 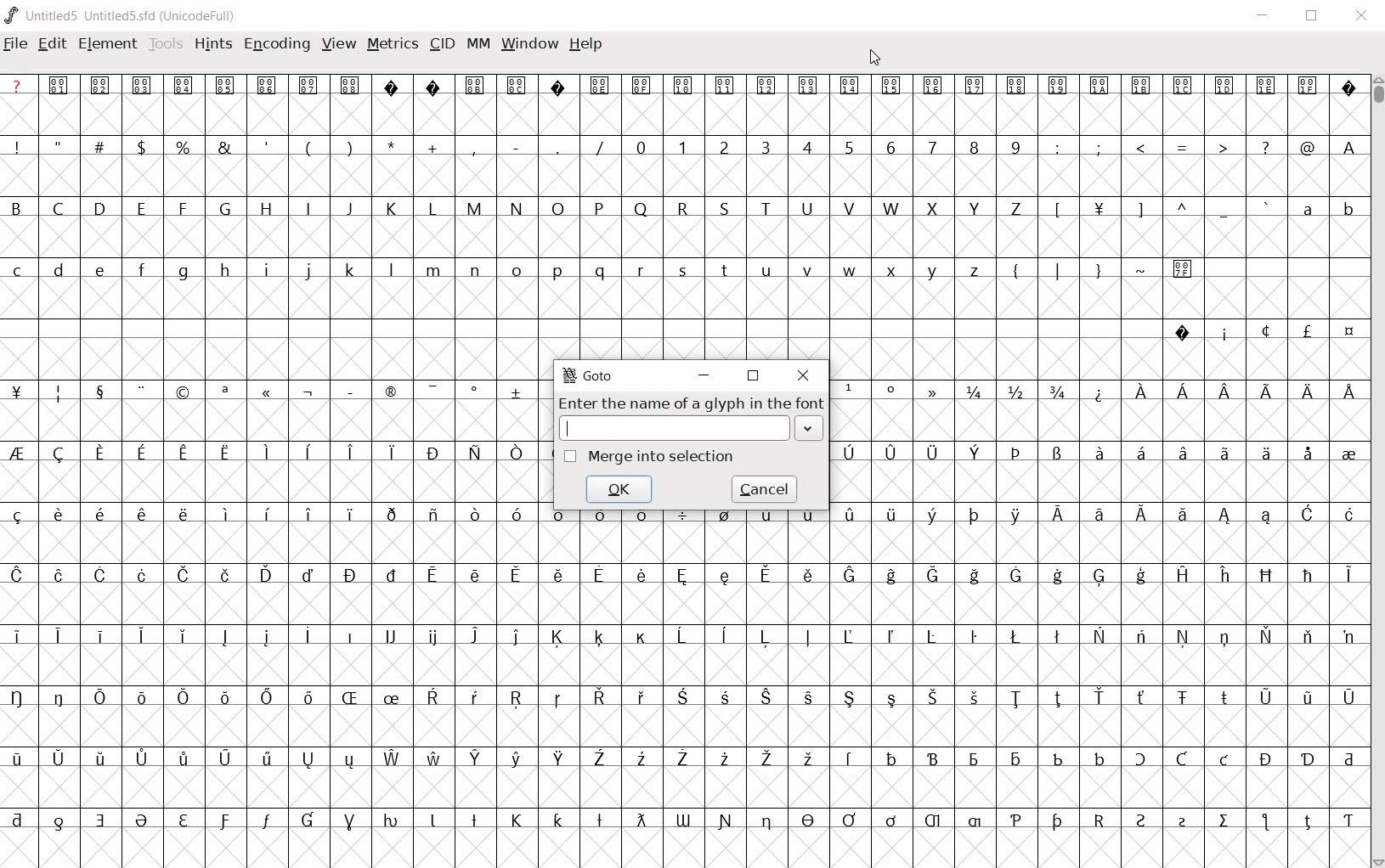 What do you see at coordinates (1269, 87) in the screenshot?
I see `Symbol` at bounding box center [1269, 87].